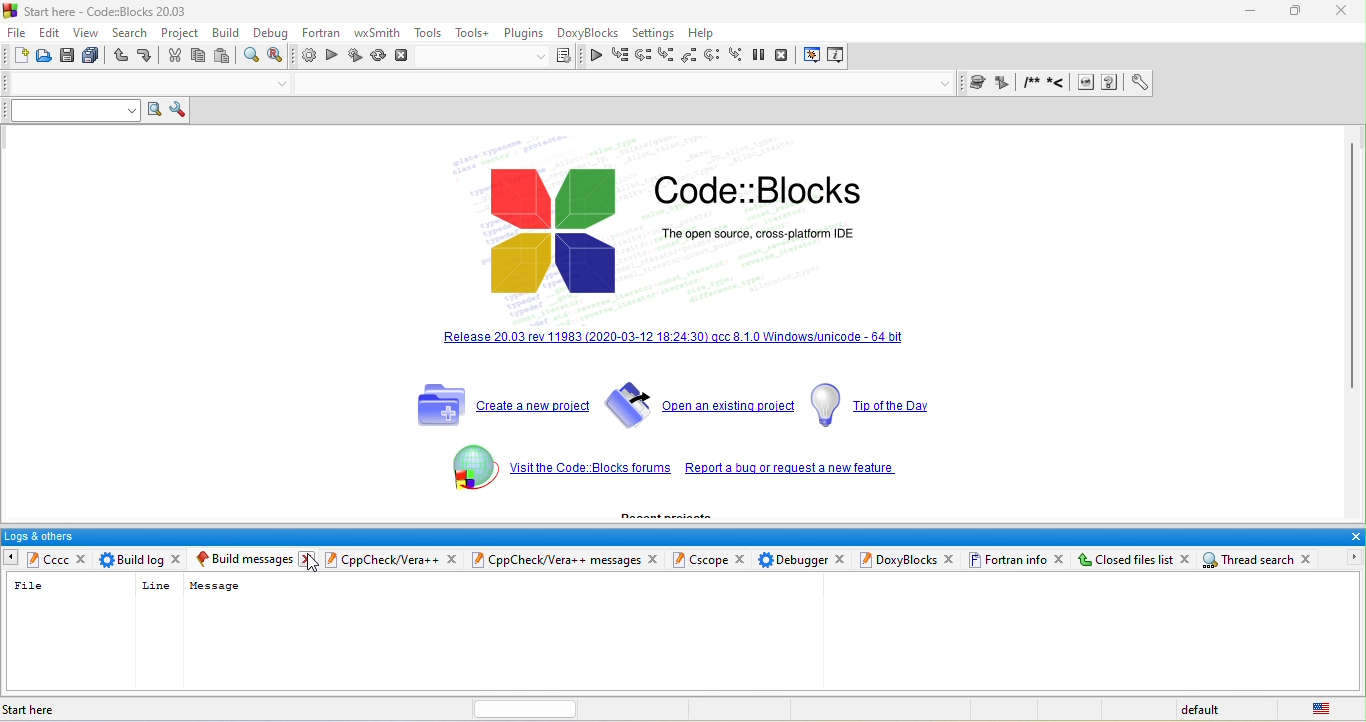  What do you see at coordinates (619, 55) in the screenshot?
I see `run to cursor` at bounding box center [619, 55].